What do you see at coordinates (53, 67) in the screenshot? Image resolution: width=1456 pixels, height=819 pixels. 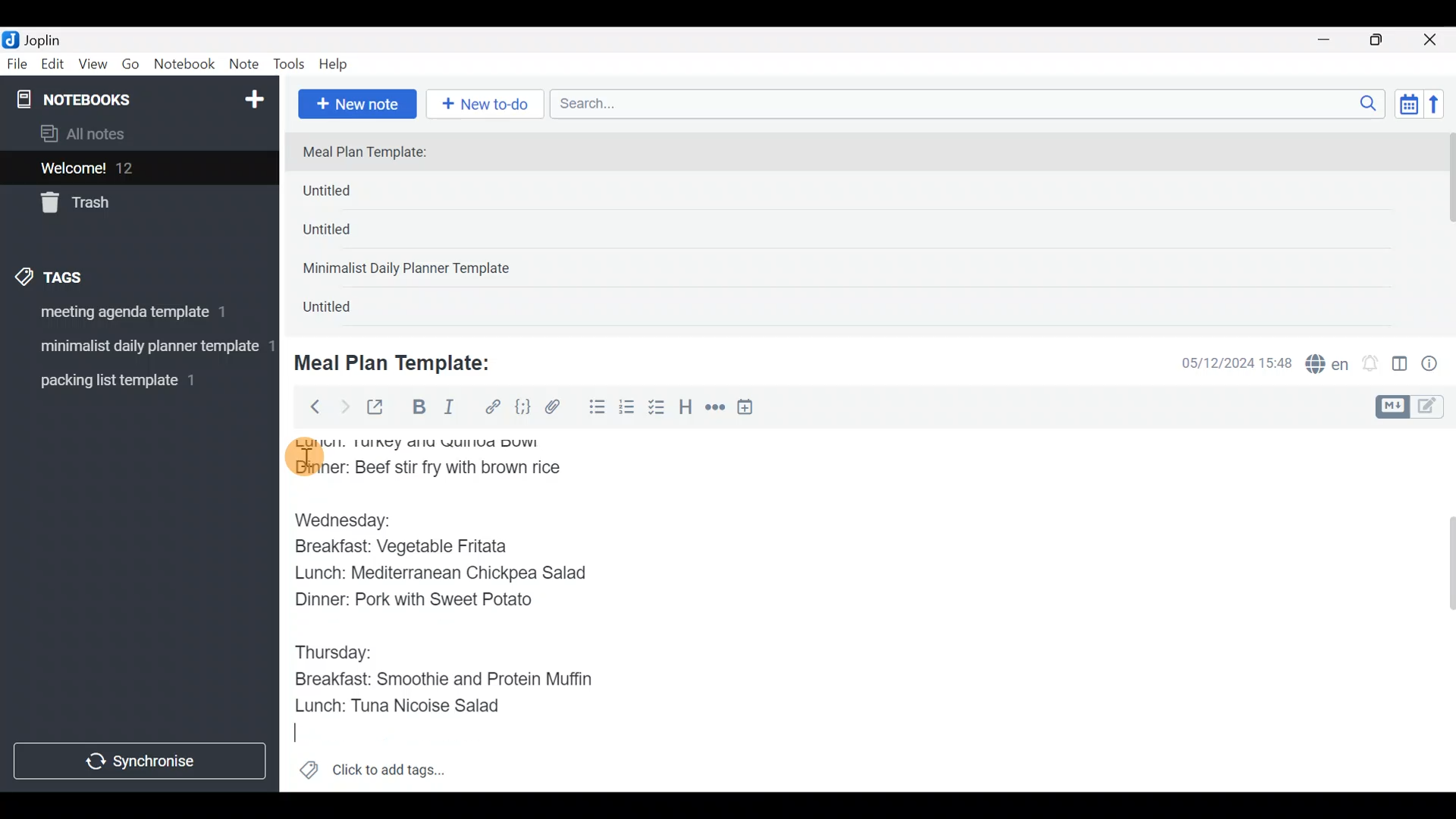 I see `Edit` at bounding box center [53, 67].